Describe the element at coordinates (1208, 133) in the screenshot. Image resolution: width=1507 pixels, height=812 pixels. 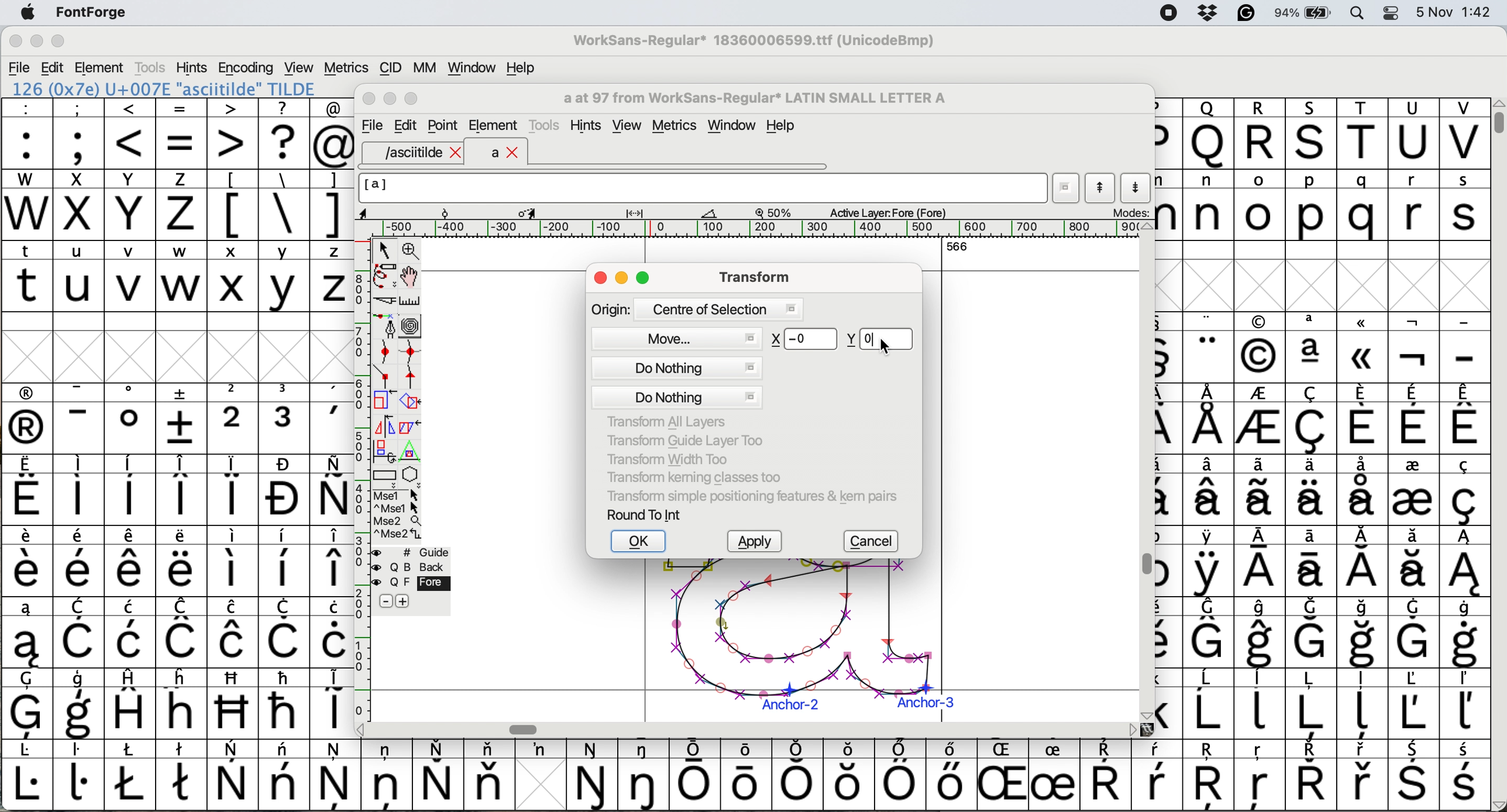
I see `` at that location.